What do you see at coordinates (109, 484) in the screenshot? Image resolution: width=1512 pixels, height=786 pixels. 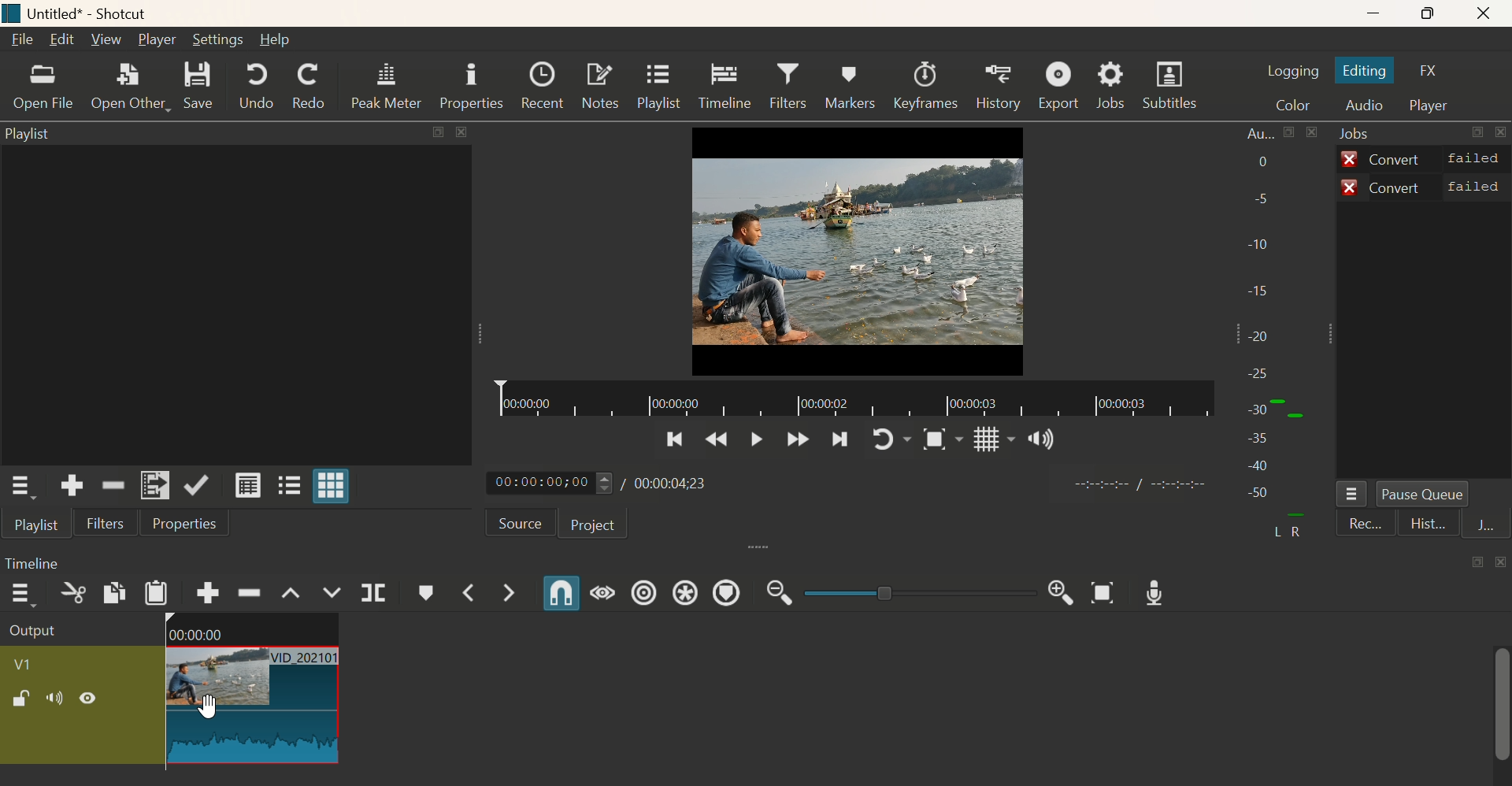 I see `` at bounding box center [109, 484].